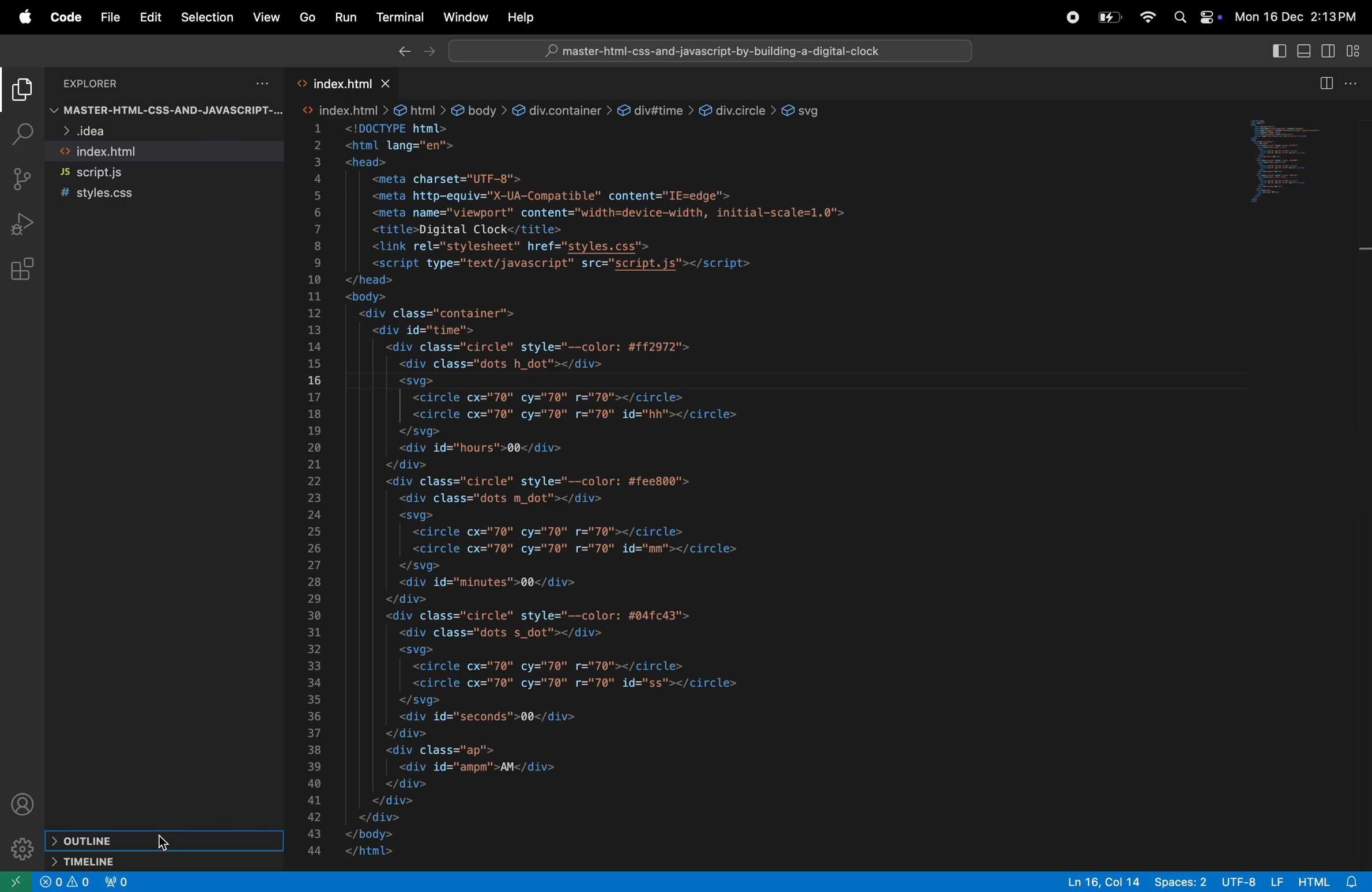 The image size is (1372, 892). I want to click on customize layout, so click(1355, 49).